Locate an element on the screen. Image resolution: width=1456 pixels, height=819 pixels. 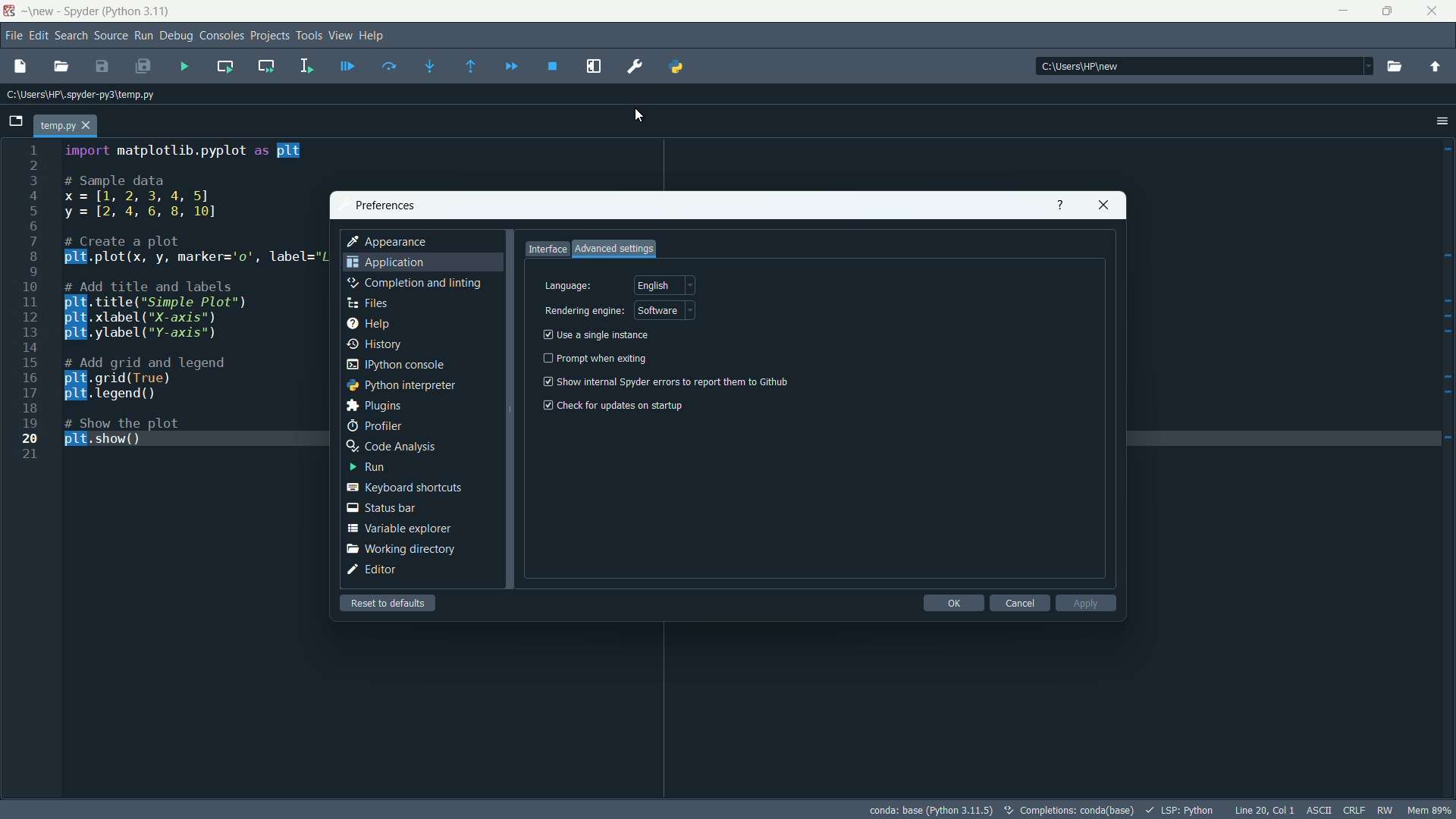
code to create a line plot between x and y variables is located at coordinates (195, 300).